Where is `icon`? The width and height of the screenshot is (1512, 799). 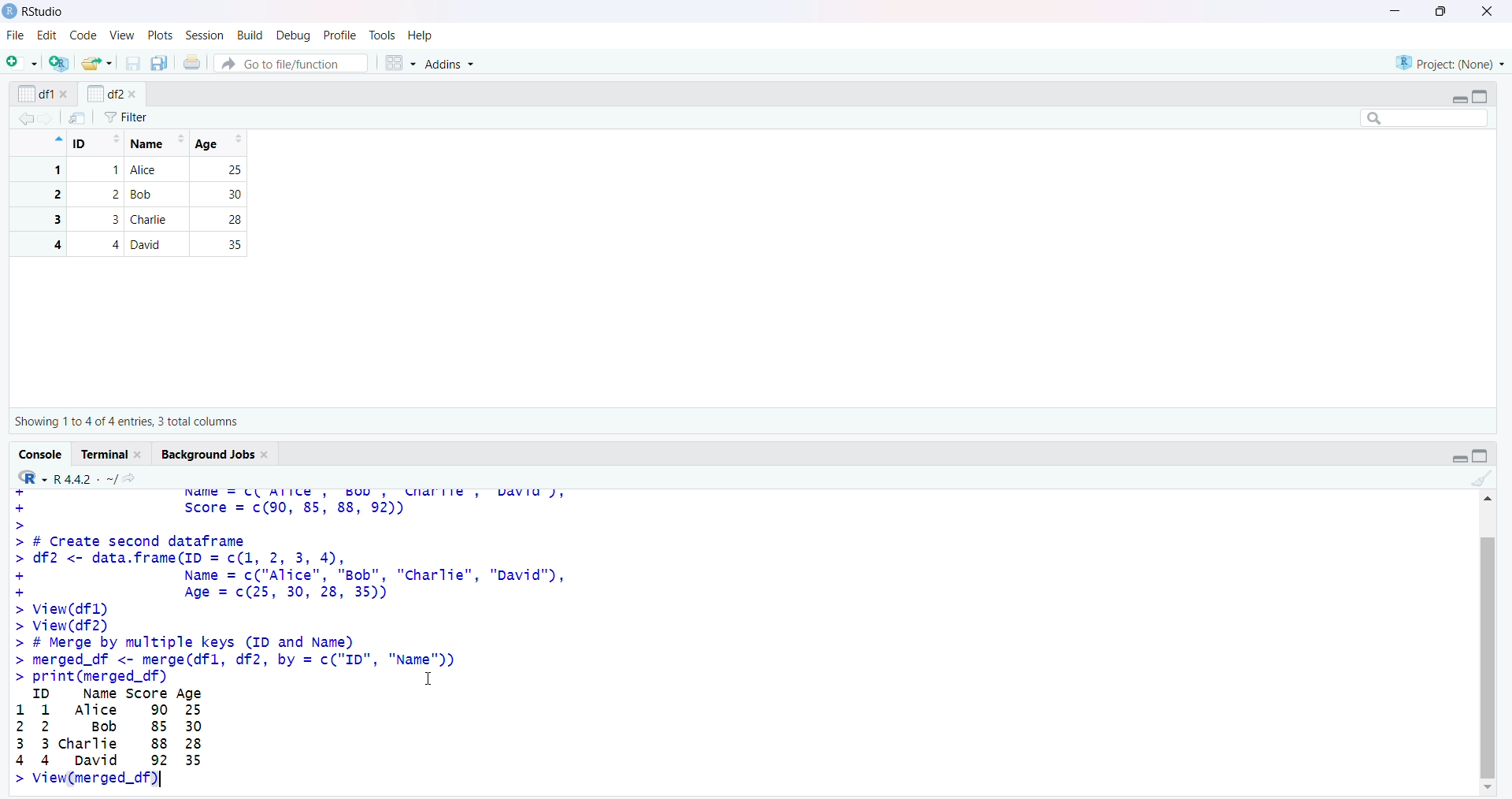
icon is located at coordinates (57, 139).